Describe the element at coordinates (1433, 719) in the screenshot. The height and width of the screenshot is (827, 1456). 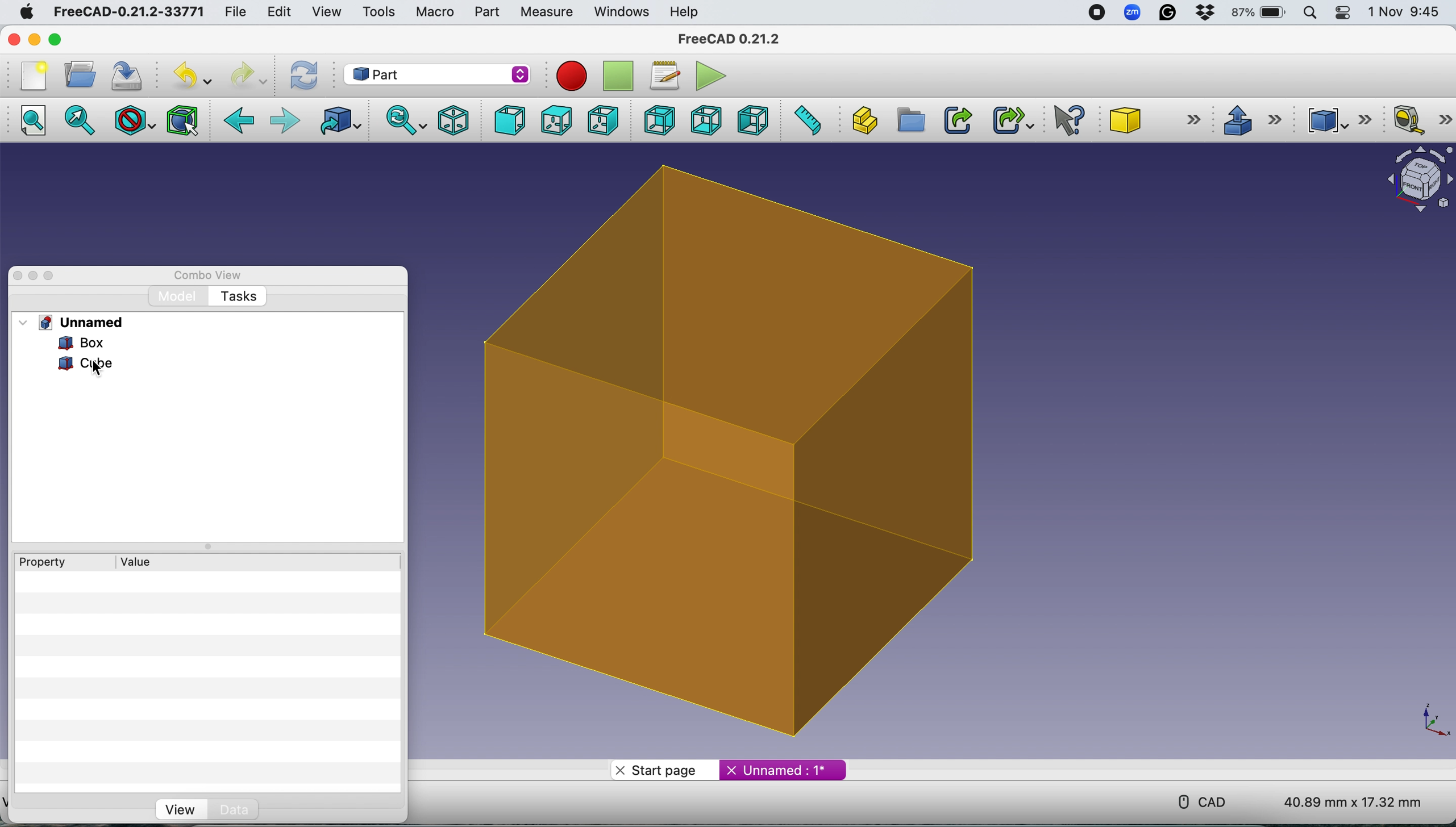
I see `x-y plane` at that location.